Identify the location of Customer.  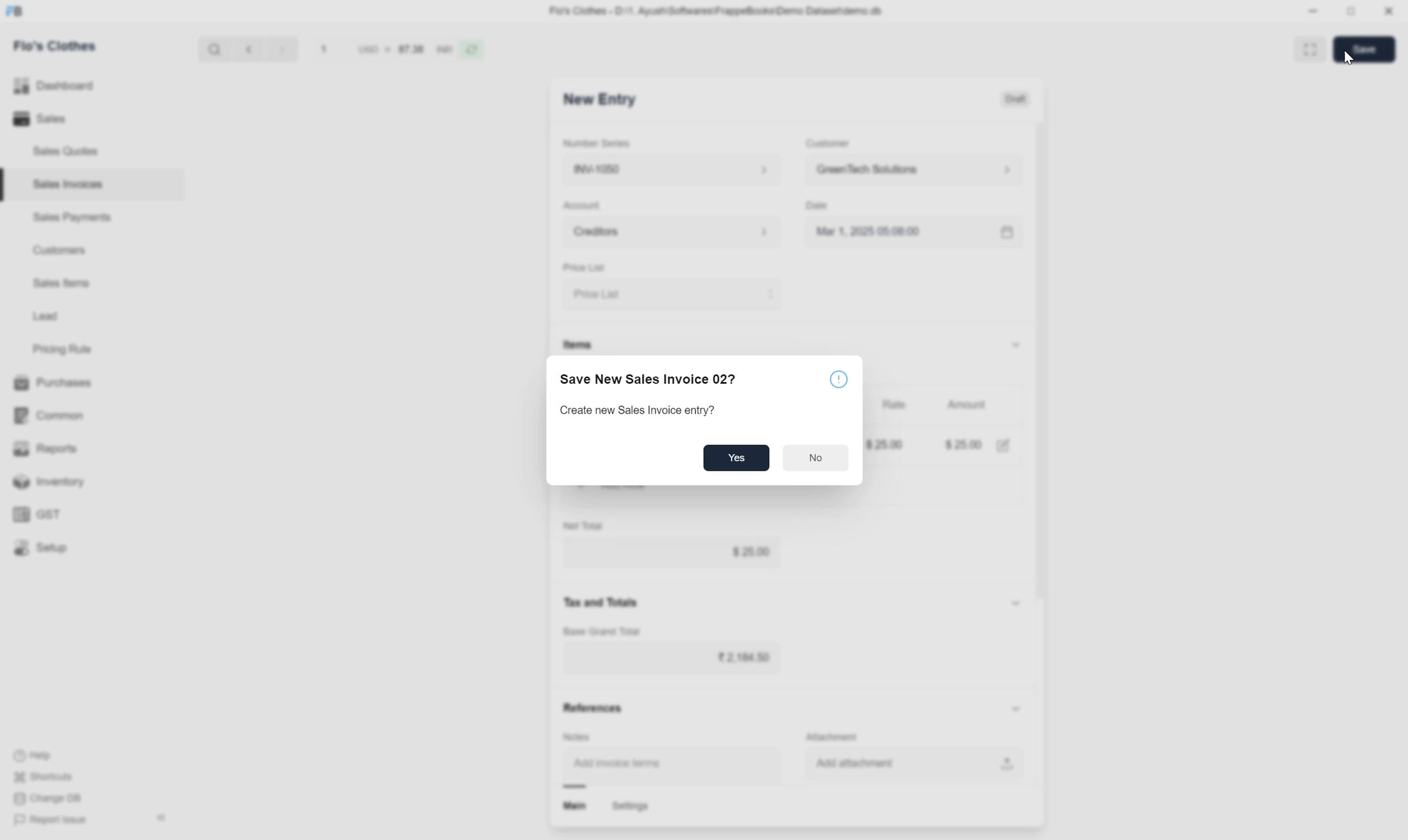
(827, 144).